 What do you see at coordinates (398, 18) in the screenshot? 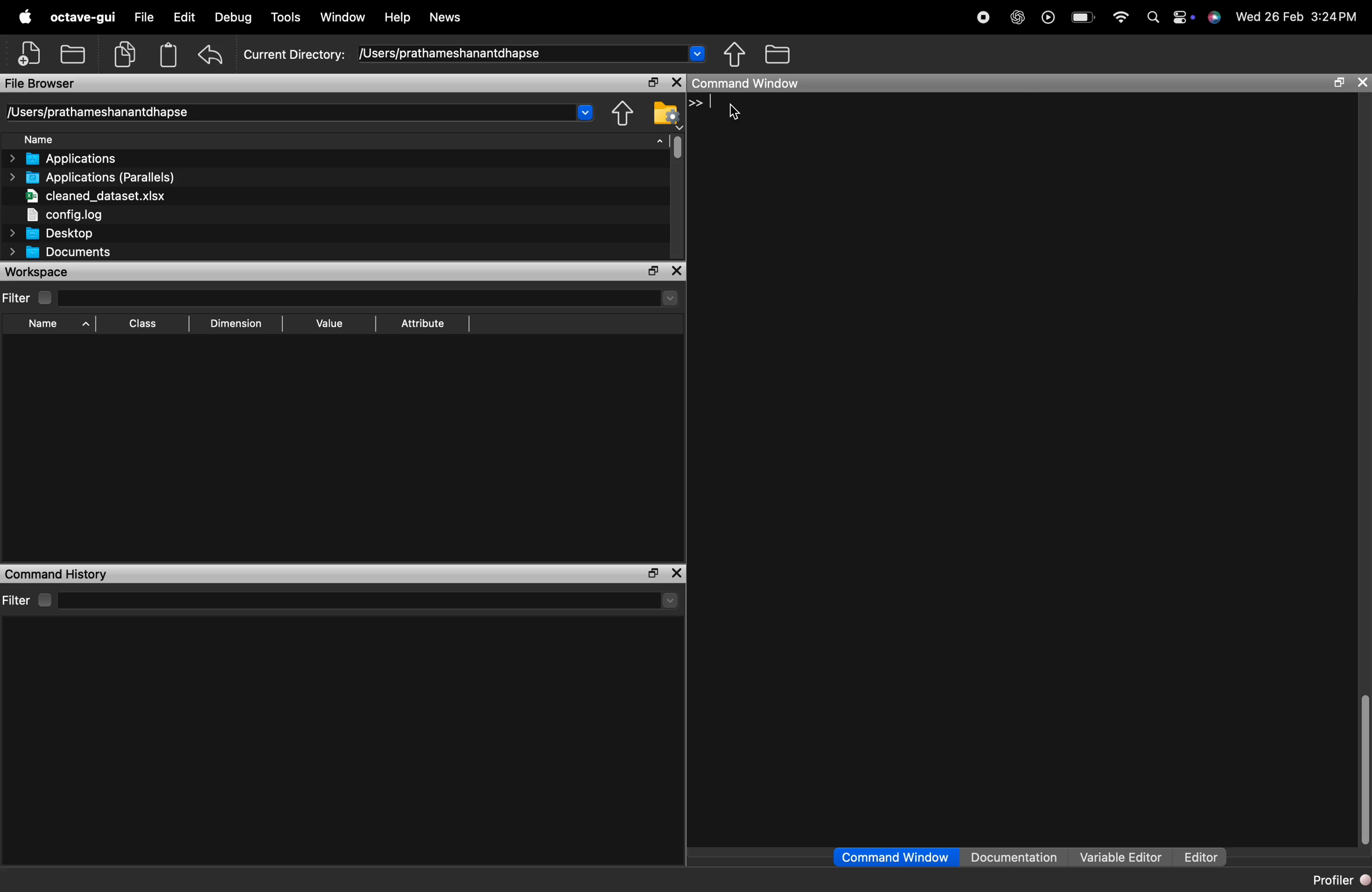
I see `Help` at bounding box center [398, 18].